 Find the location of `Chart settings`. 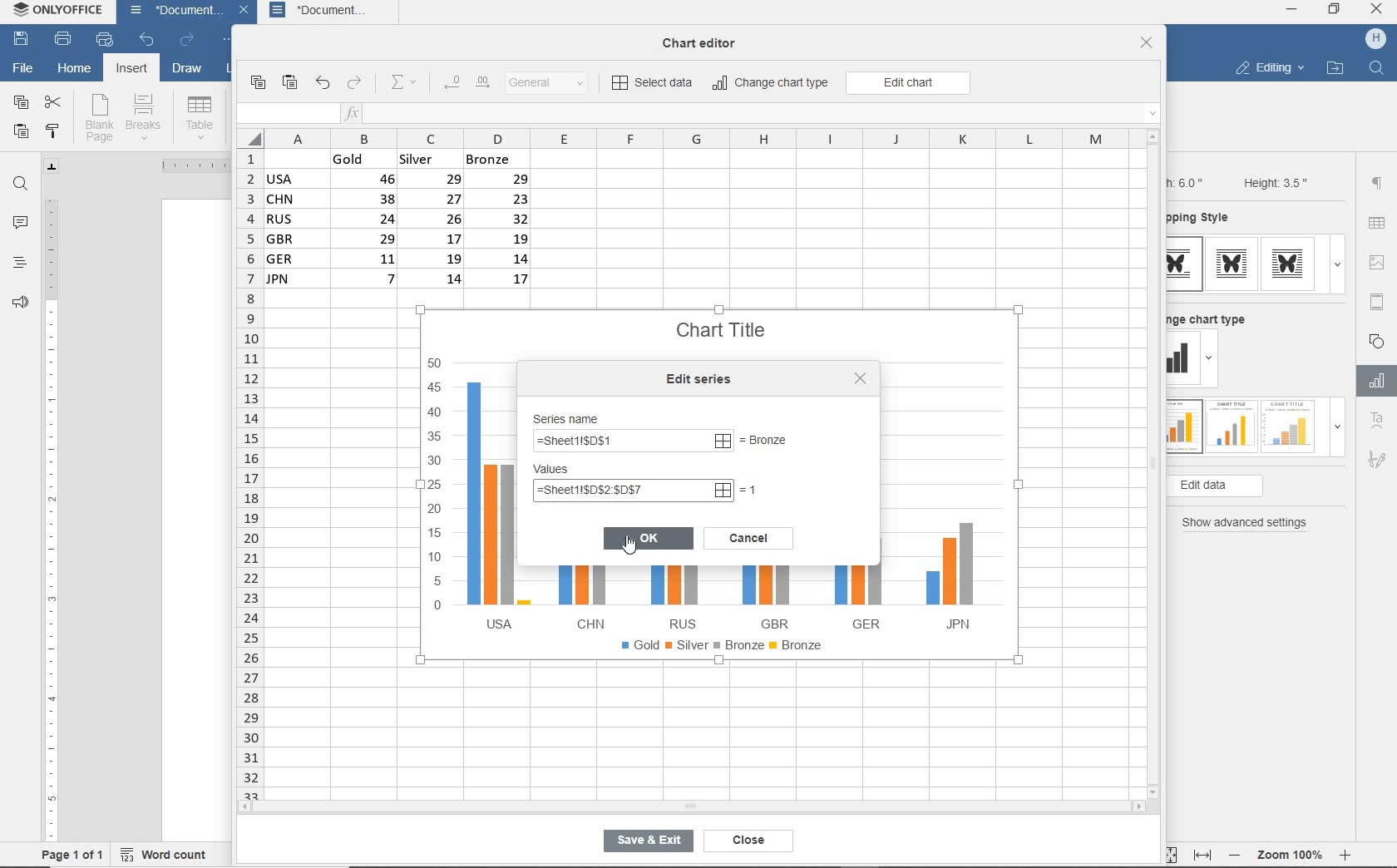

Chart settings is located at coordinates (1374, 381).